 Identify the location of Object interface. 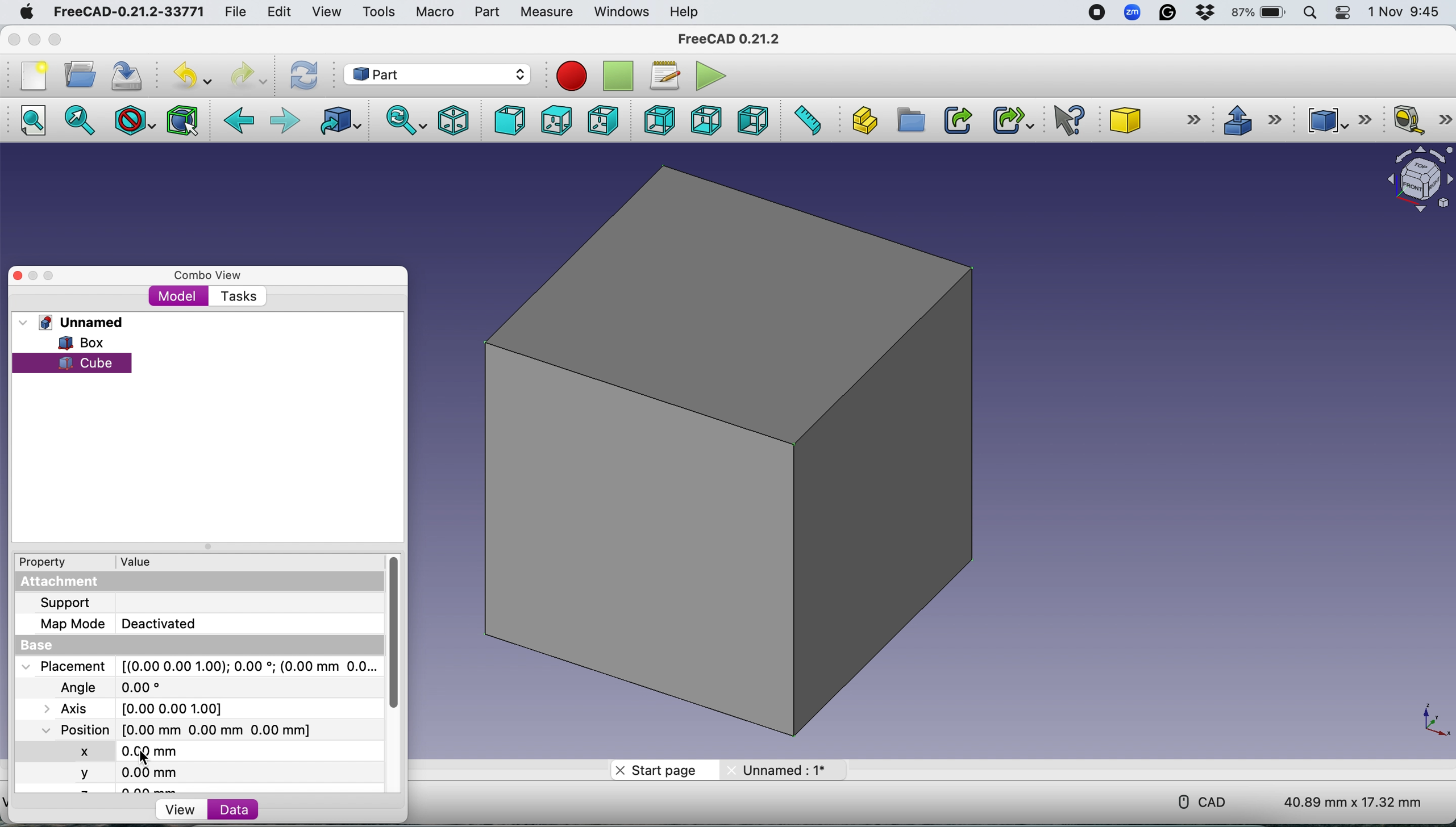
(1414, 181).